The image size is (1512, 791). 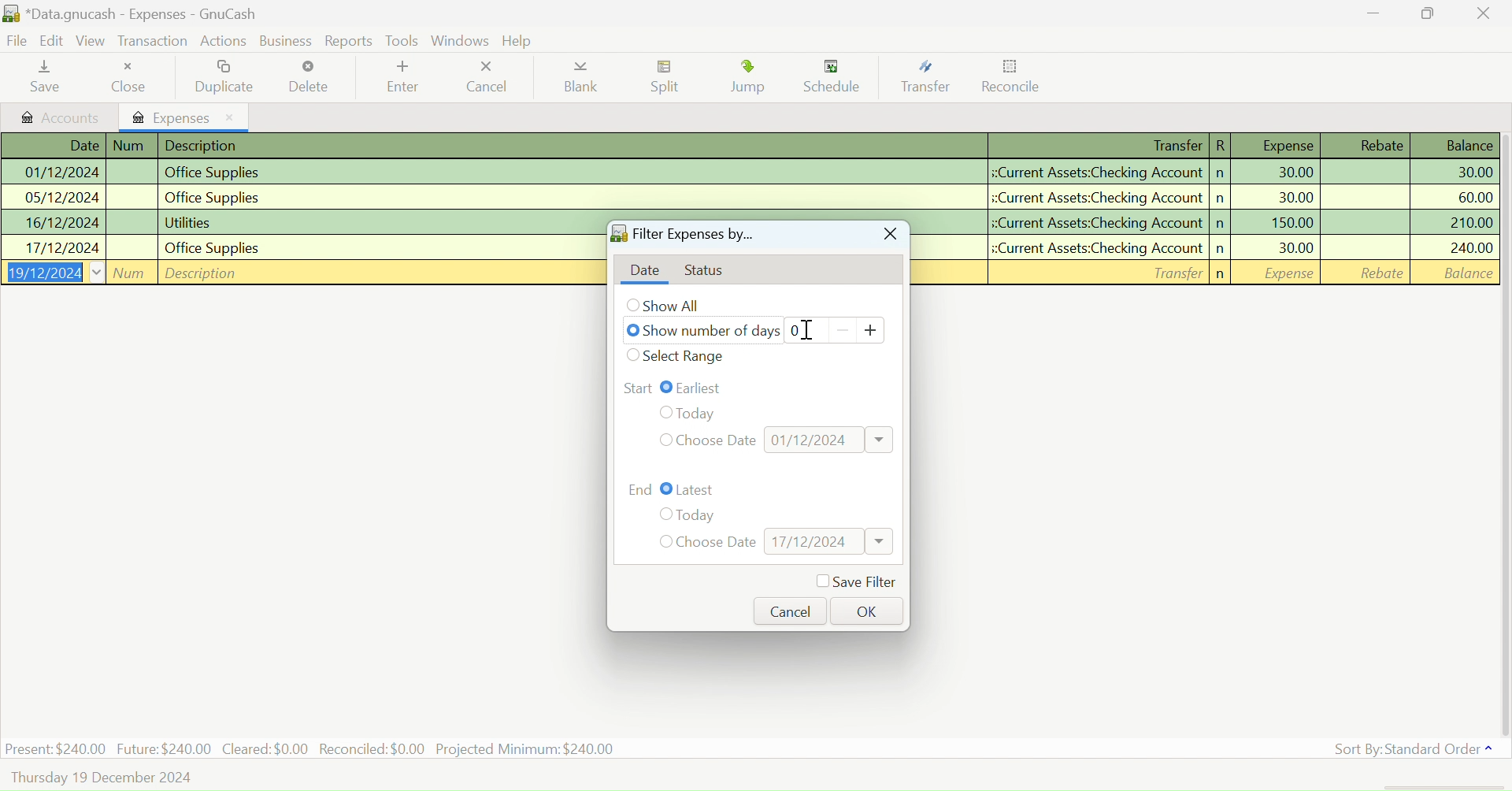 What do you see at coordinates (698, 516) in the screenshot?
I see `Today` at bounding box center [698, 516].